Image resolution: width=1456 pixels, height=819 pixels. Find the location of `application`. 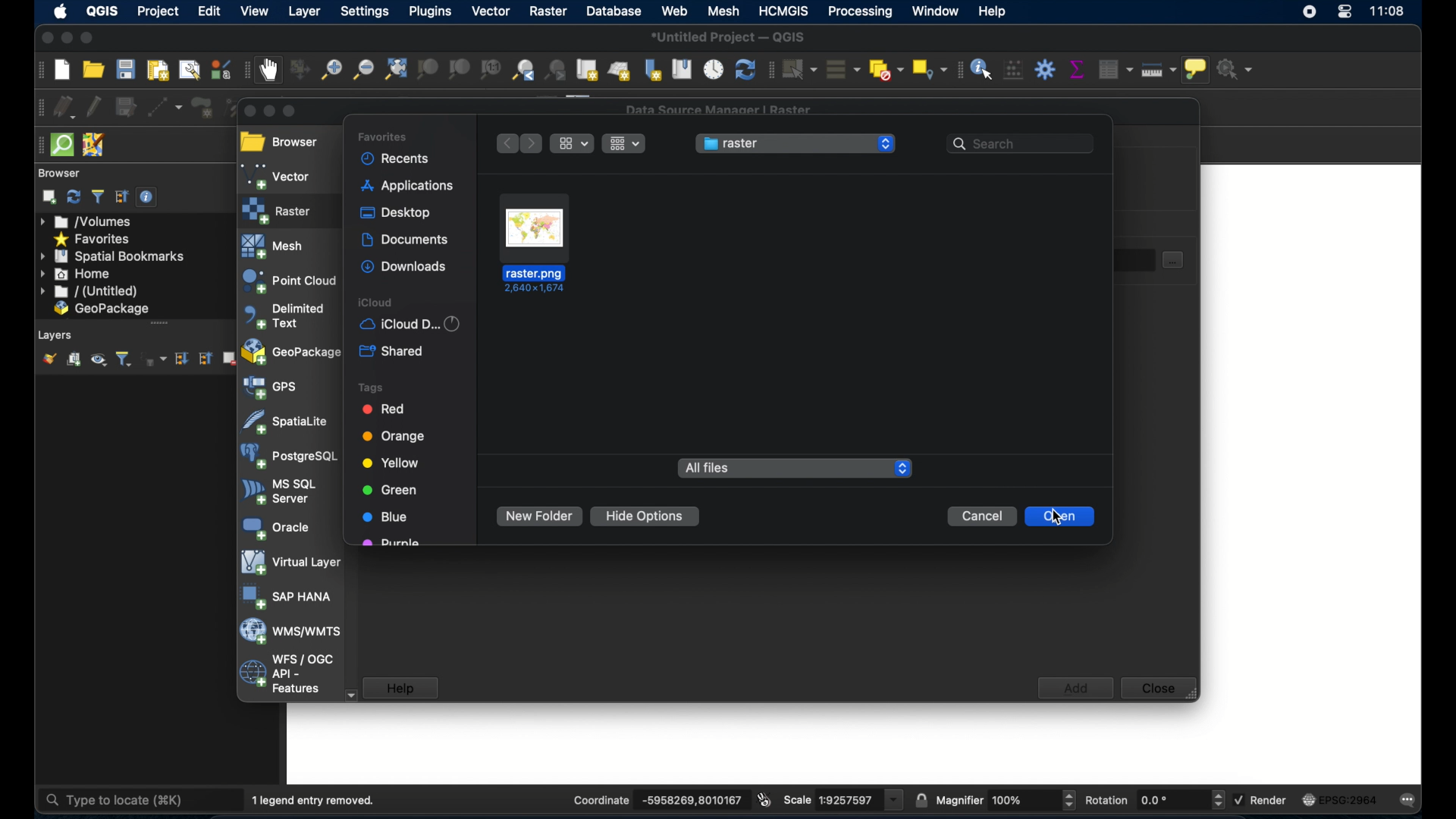

application is located at coordinates (409, 184).